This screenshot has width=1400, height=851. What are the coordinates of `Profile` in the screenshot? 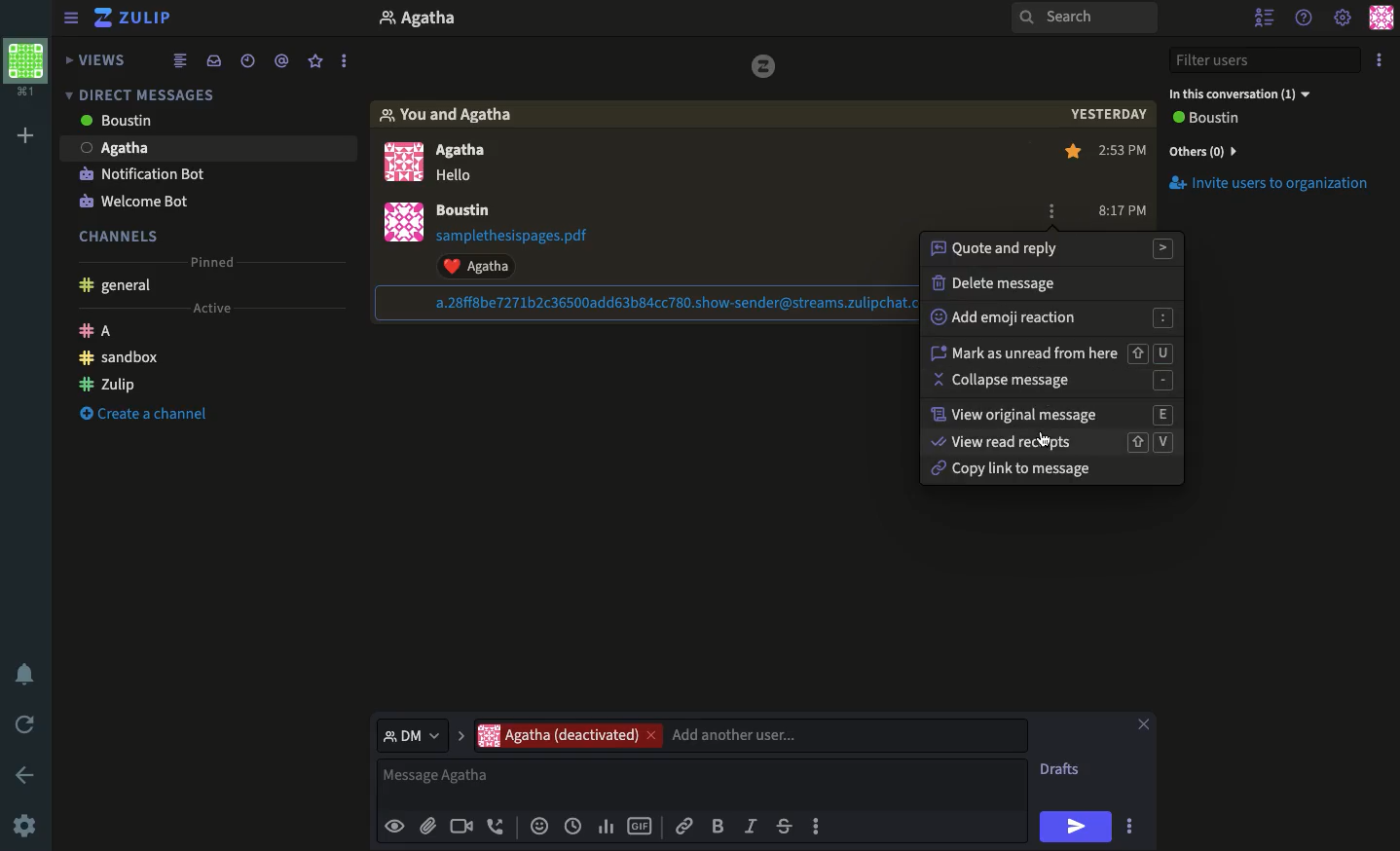 It's located at (26, 71).